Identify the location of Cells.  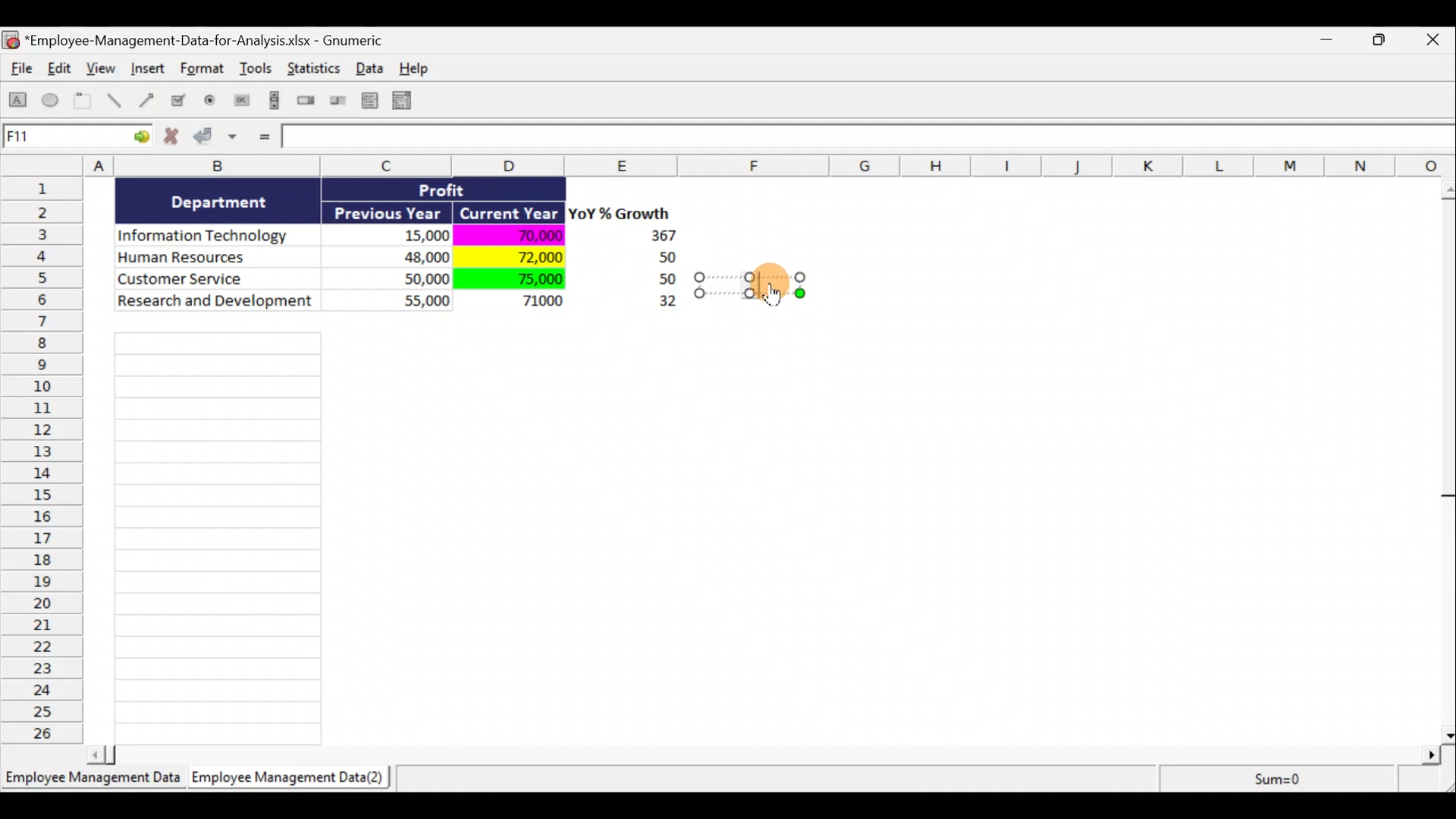
(218, 534).